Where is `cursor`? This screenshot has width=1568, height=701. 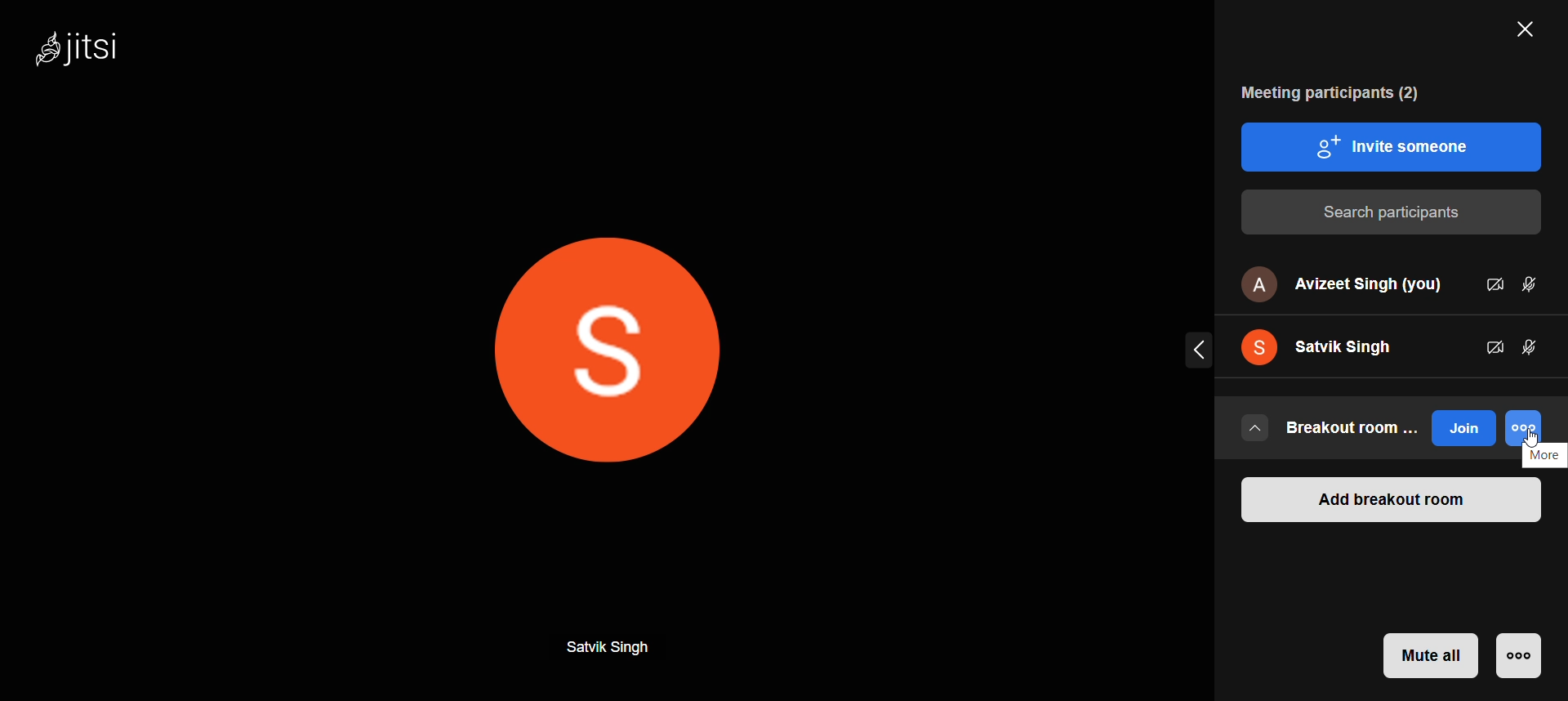
cursor is located at coordinates (1528, 434).